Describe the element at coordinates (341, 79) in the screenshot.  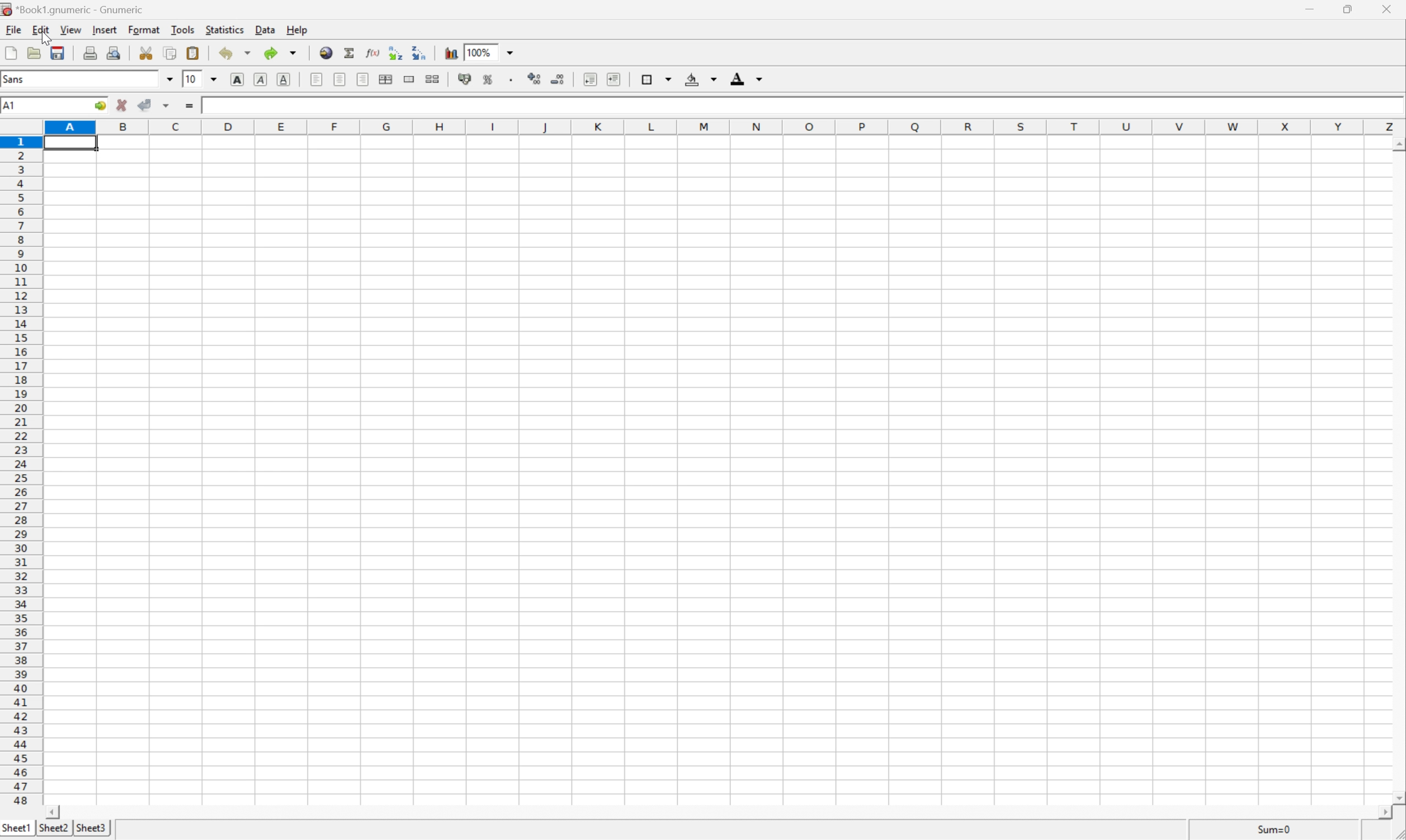
I see `center horizontally` at that location.